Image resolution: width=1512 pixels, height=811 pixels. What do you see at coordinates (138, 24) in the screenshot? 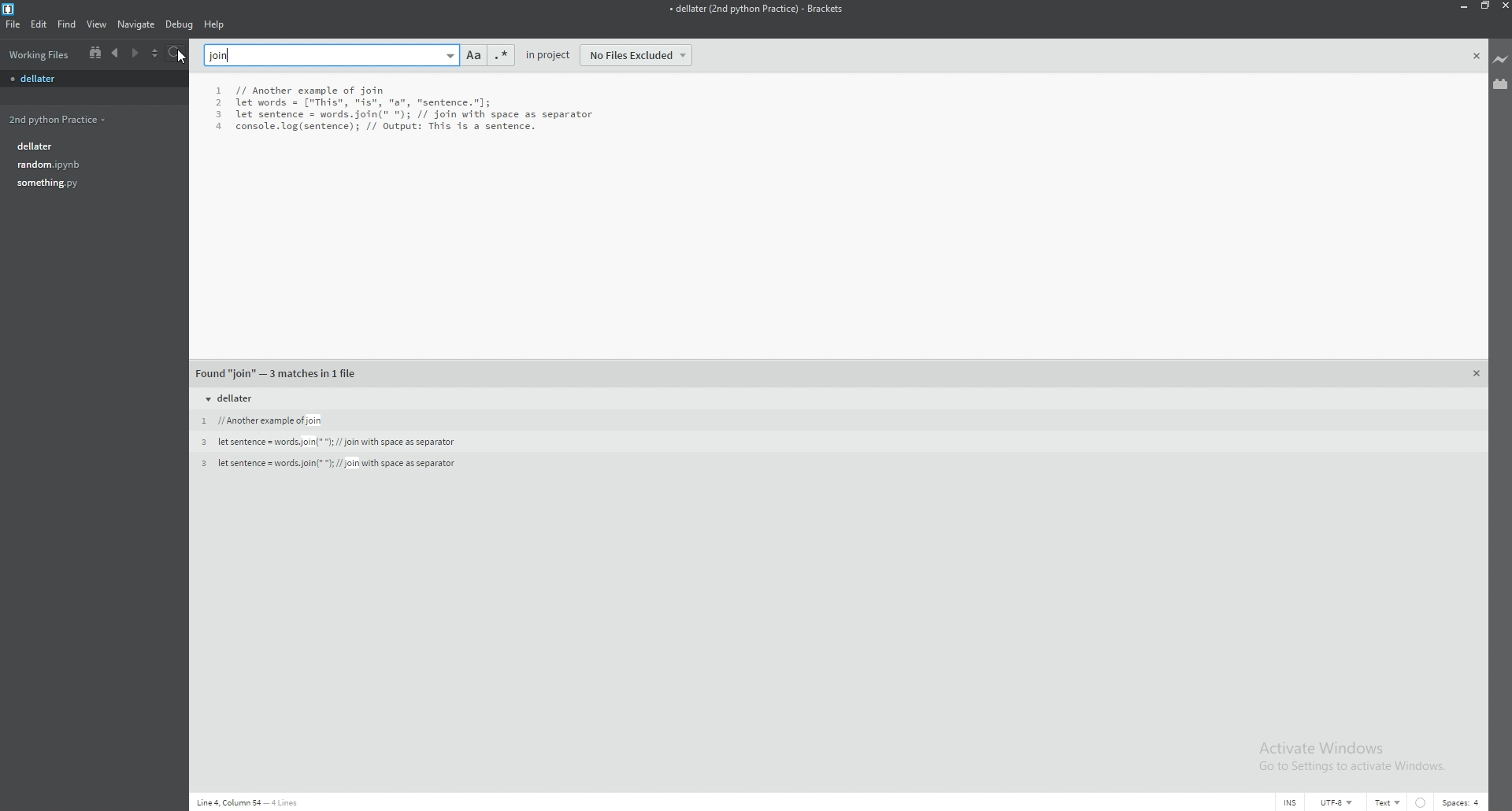
I see `navigate` at bounding box center [138, 24].